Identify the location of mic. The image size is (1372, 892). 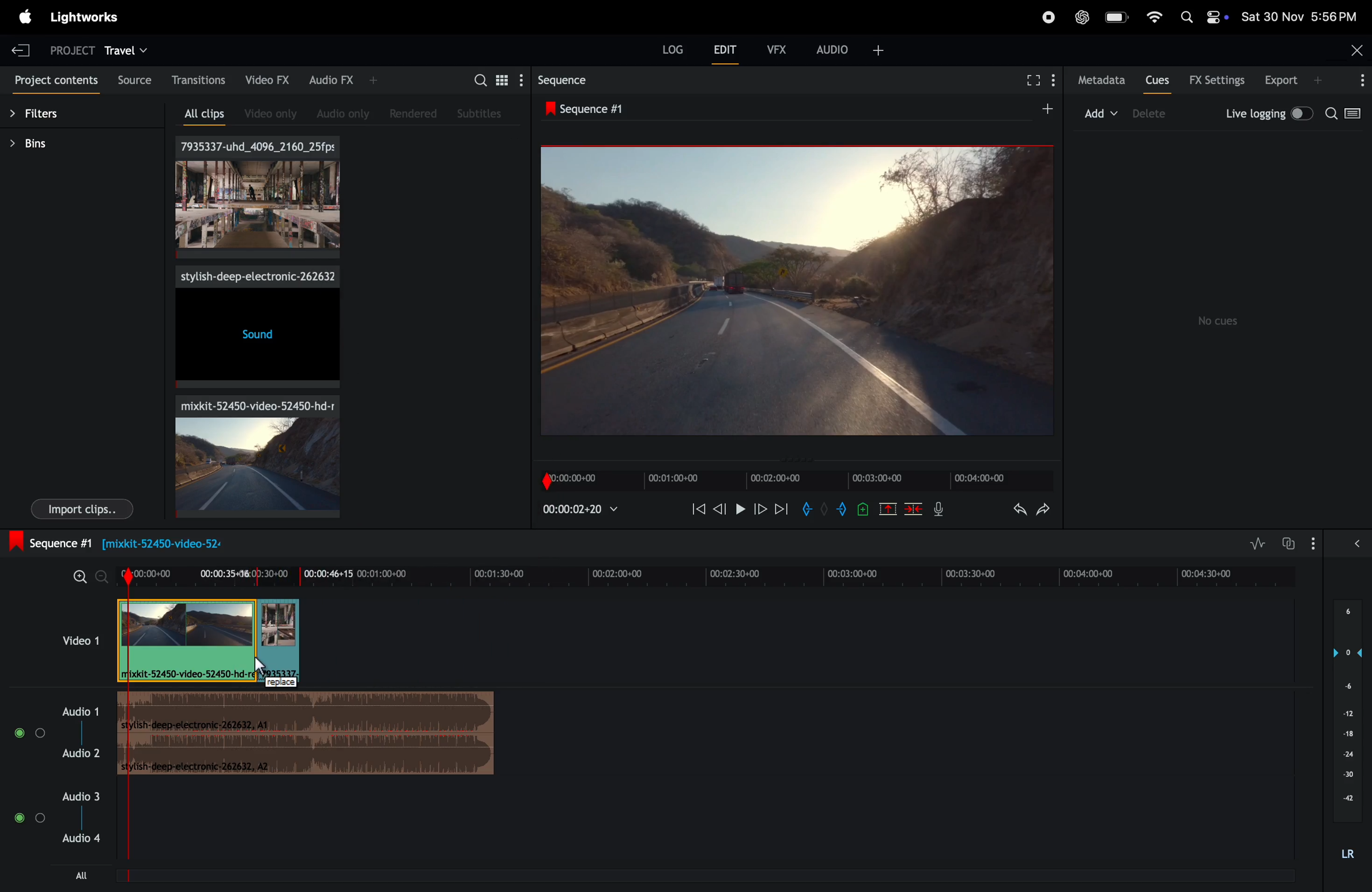
(937, 512).